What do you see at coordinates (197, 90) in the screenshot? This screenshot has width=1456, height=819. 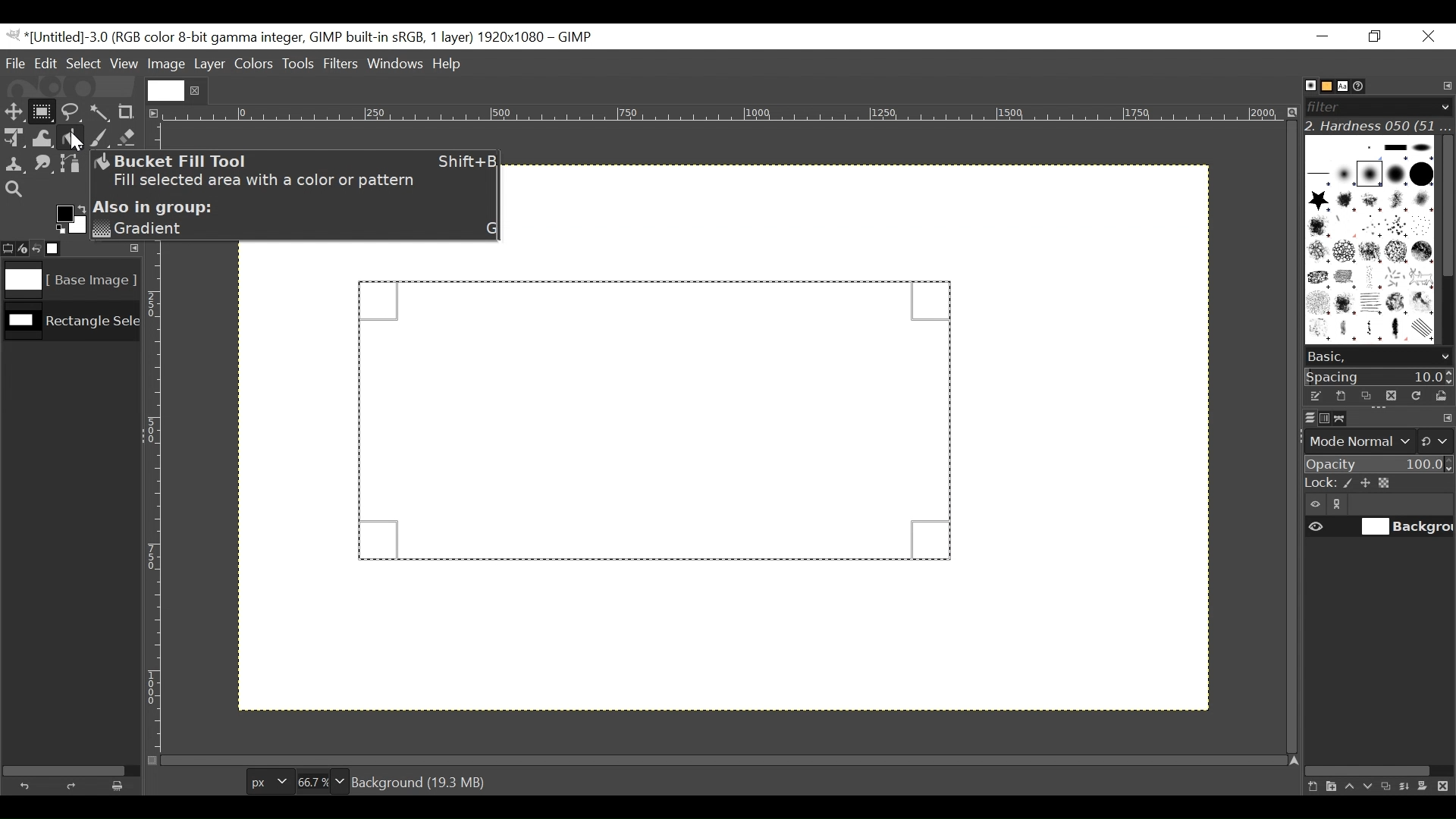 I see `close` at bounding box center [197, 90].